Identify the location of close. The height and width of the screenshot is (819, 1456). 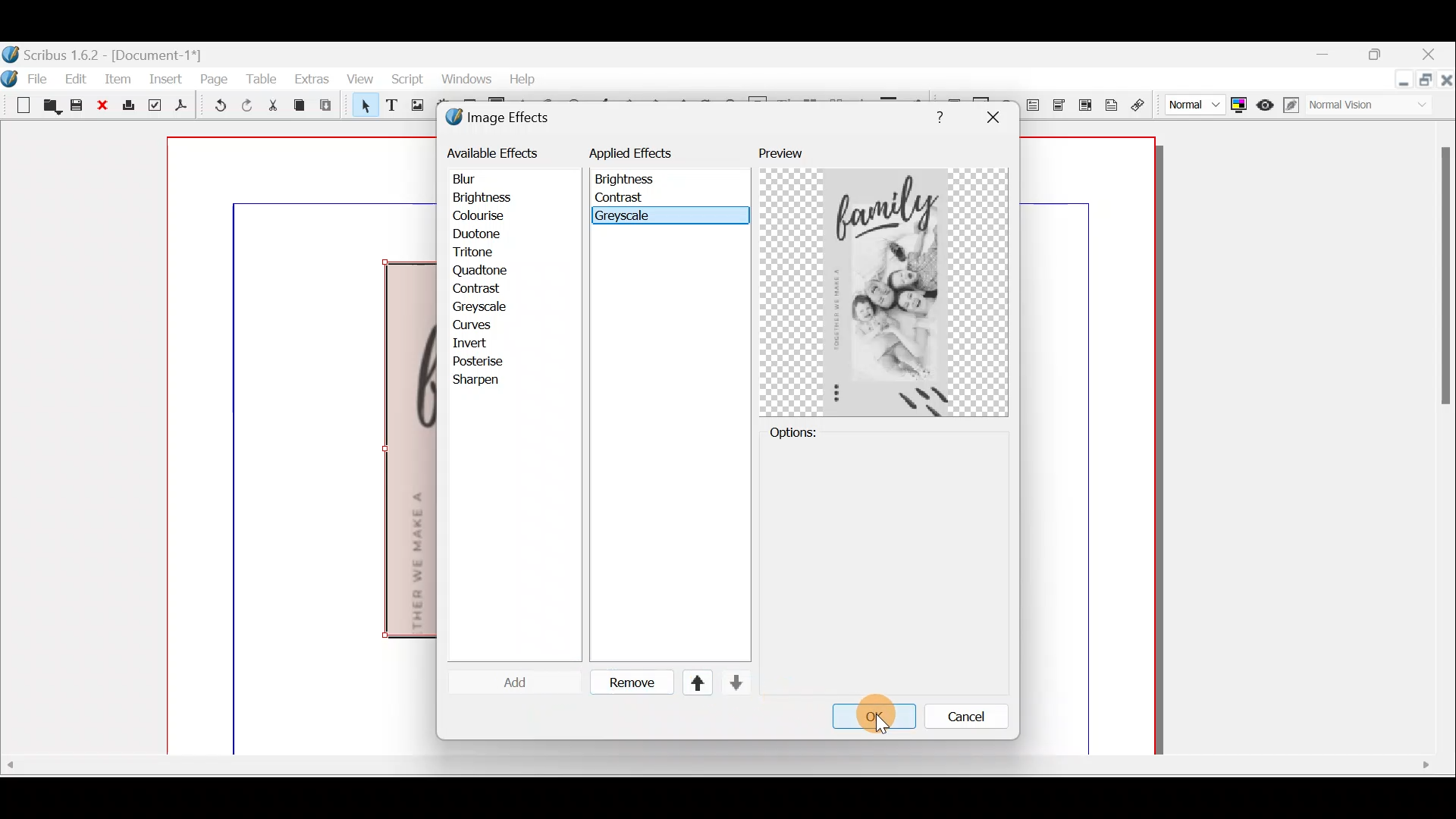
(995, 116).